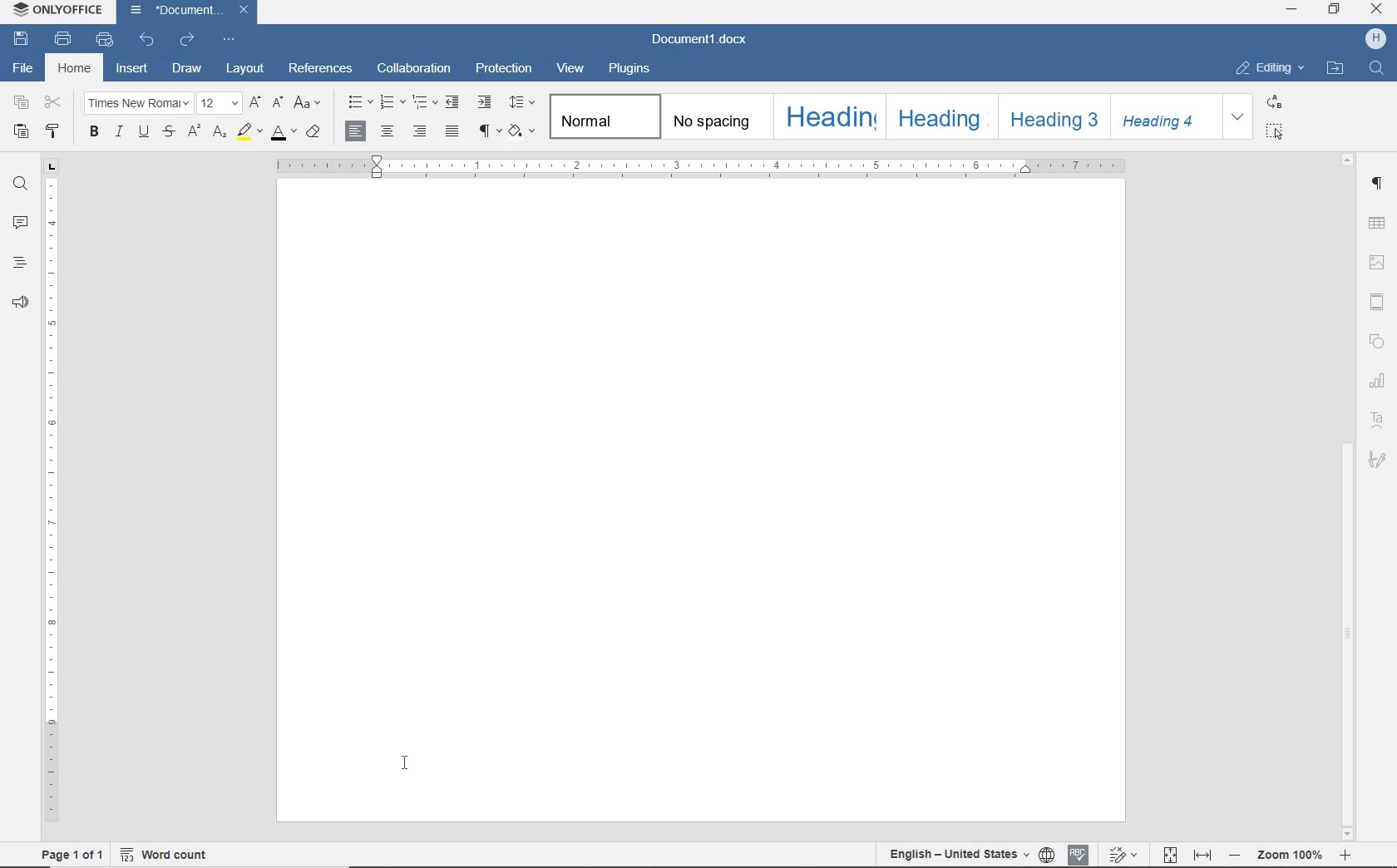 The height and width of the screenshot is (868, 1397). Describe the element at coordinates (523, 131) in the screenshot. I see `SHADING` at that location.